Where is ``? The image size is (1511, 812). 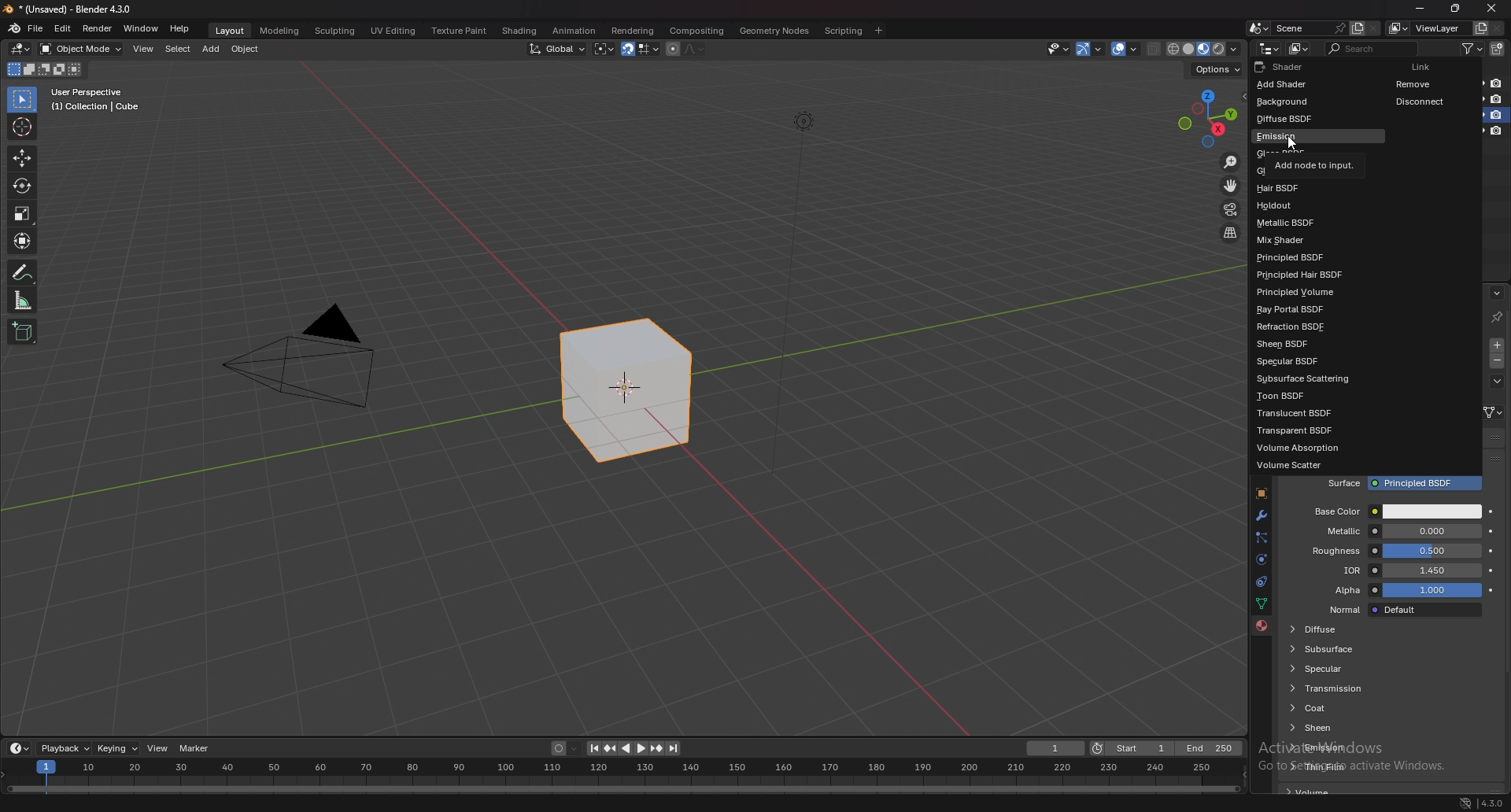
 is located at coordinates (1493, 10).